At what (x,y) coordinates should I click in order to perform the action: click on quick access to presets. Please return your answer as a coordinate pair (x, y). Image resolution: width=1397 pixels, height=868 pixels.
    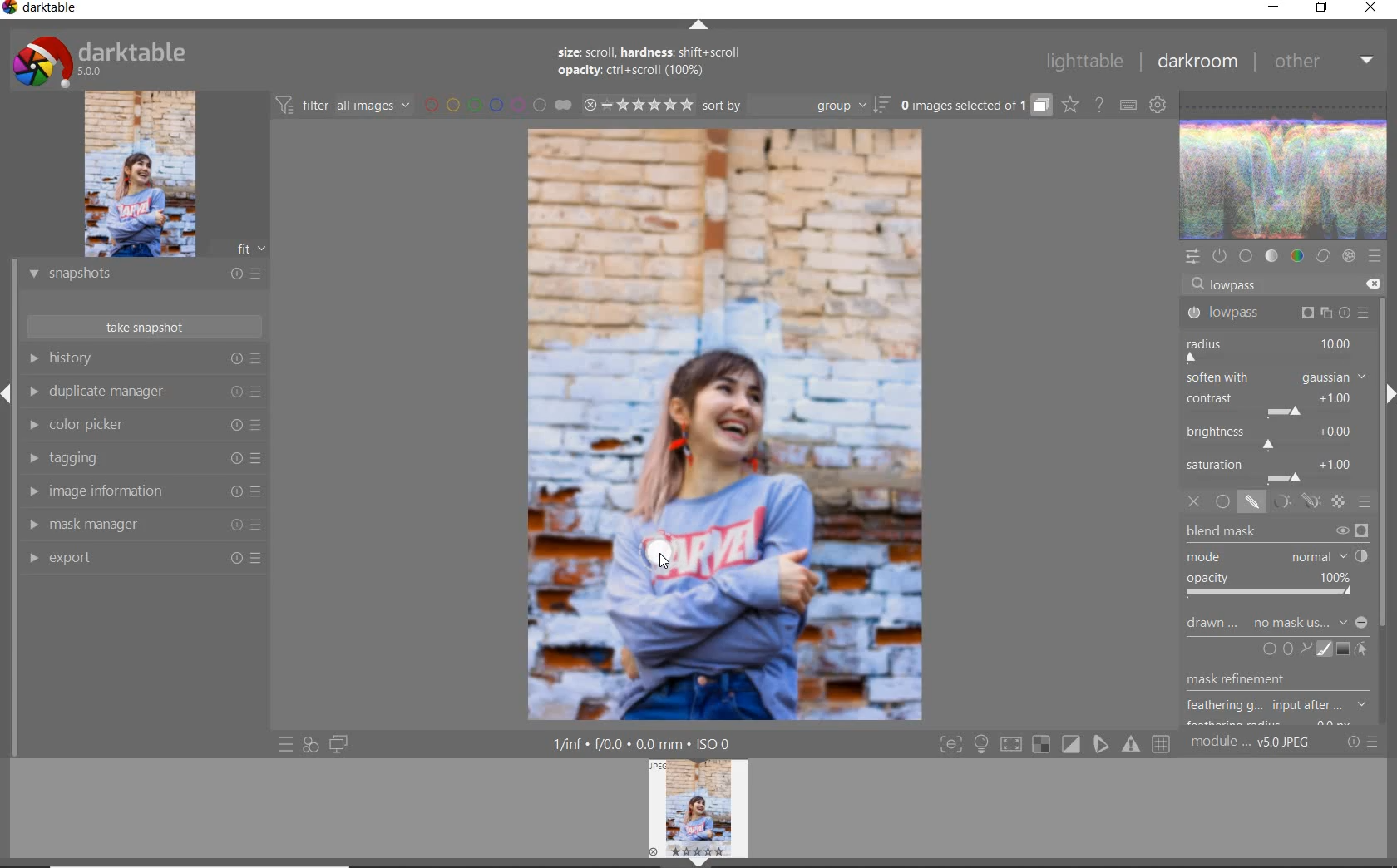
    Looking at the image, I should click on (288, 743).